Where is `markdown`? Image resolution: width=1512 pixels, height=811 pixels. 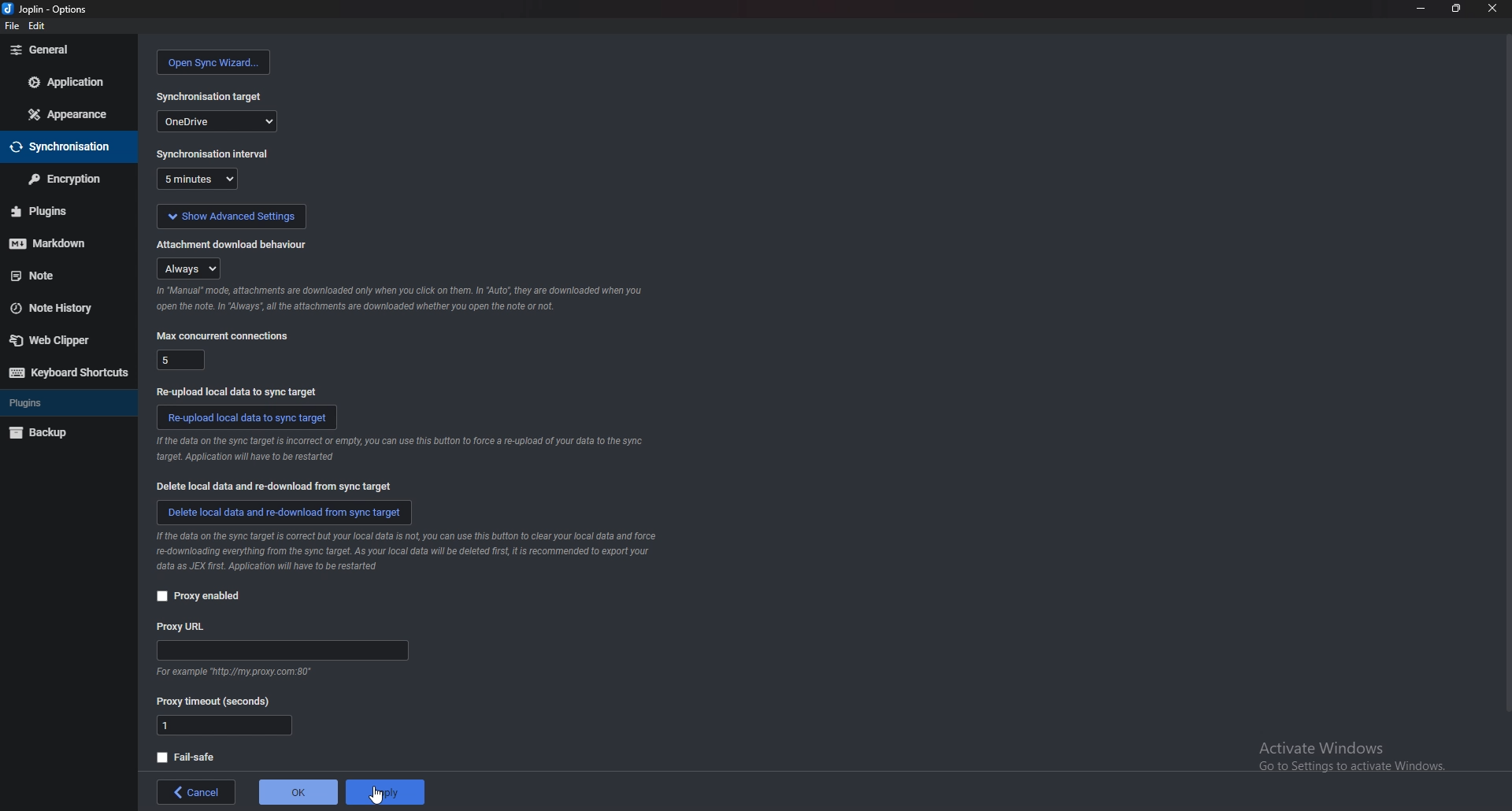 markdown is located at coordinates (59, 242).